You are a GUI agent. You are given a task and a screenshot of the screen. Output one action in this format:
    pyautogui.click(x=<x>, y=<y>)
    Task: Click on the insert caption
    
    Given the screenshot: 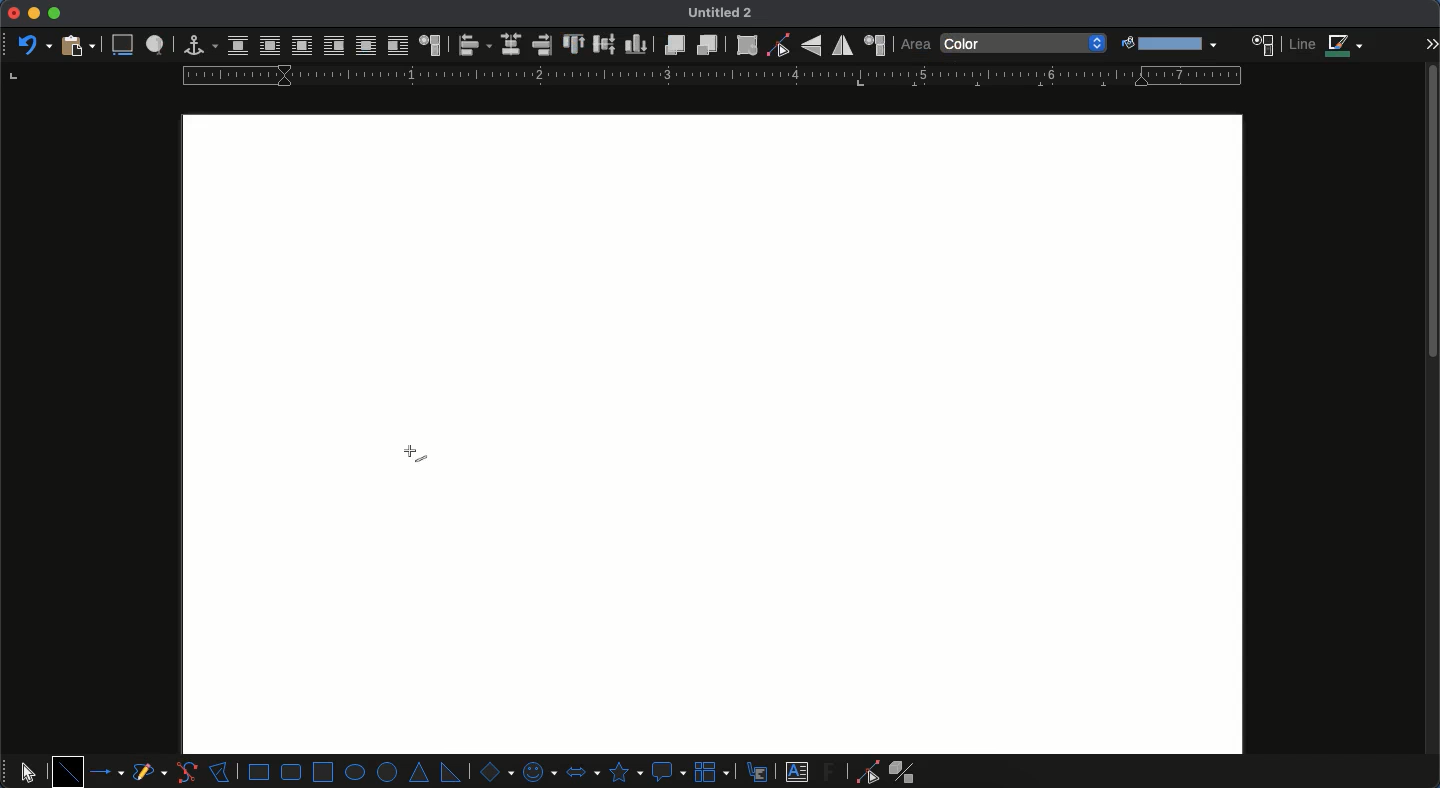 What is the action you would take?
    pyautogui.click(x=121, y=46)
    